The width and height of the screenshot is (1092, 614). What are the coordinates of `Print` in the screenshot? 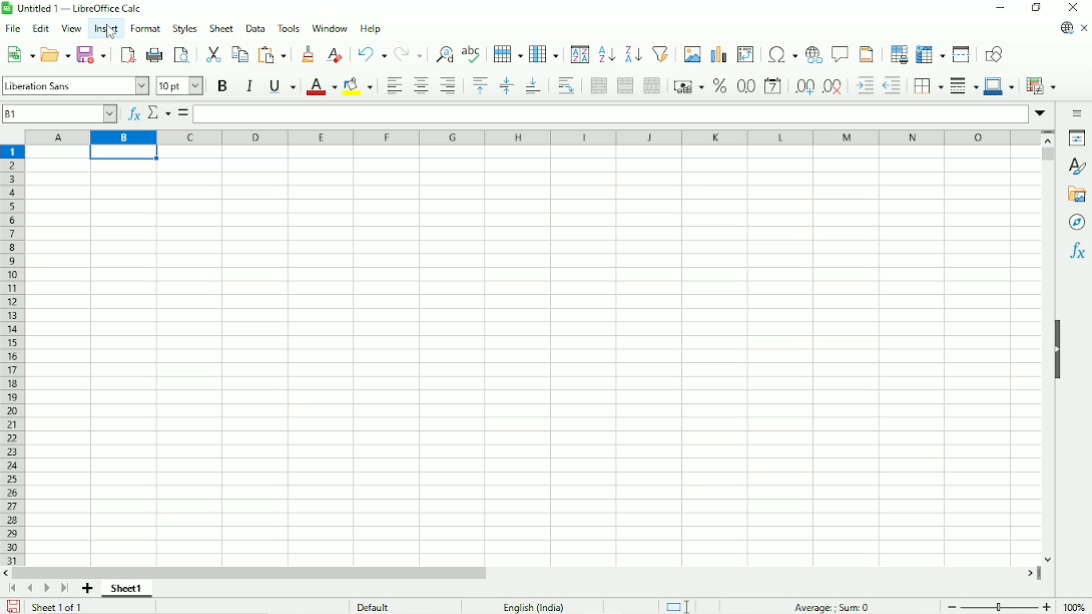 It's located at (155, 54).